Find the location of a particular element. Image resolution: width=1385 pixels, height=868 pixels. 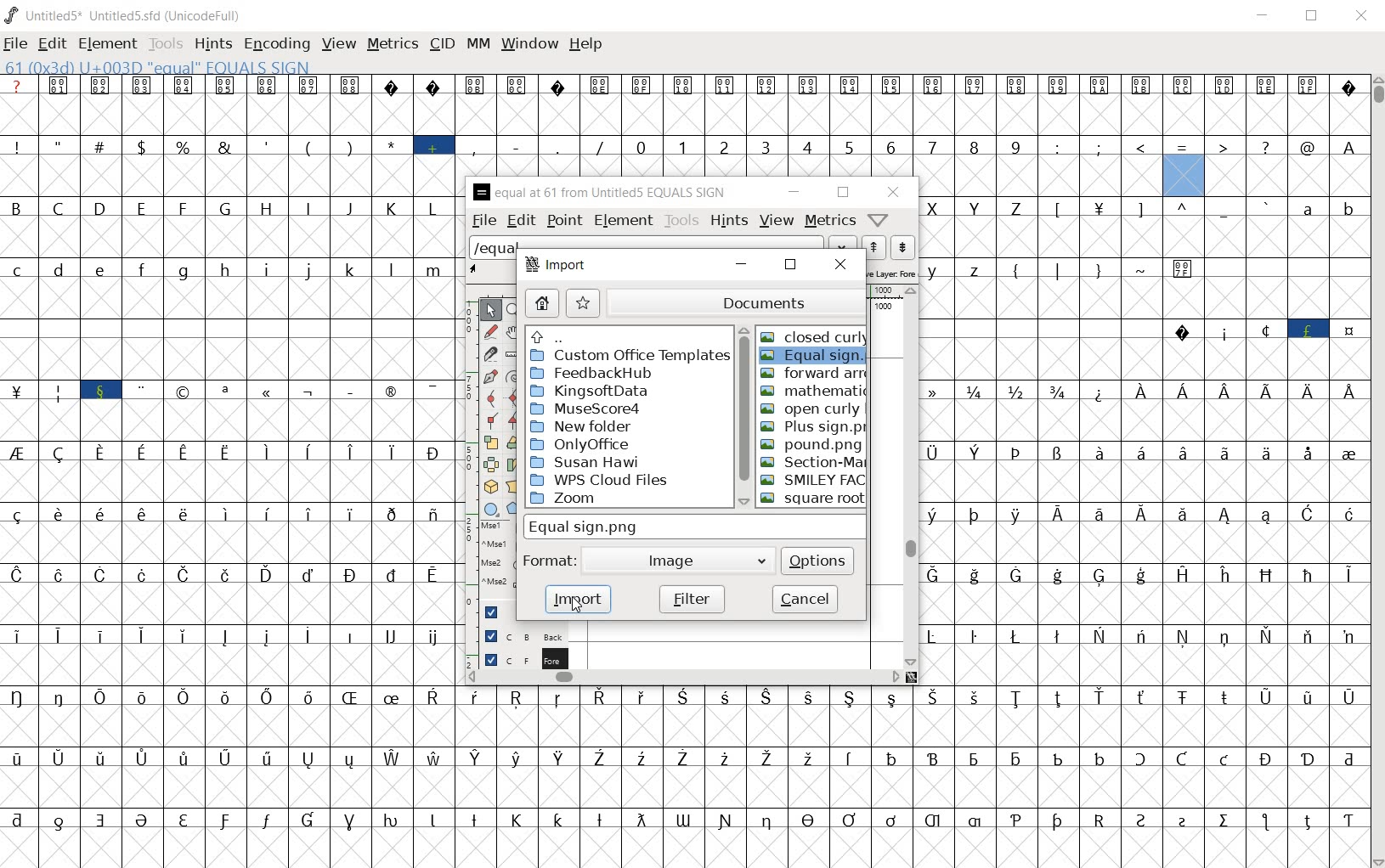

restore down is located at coordinates (1310, 17).